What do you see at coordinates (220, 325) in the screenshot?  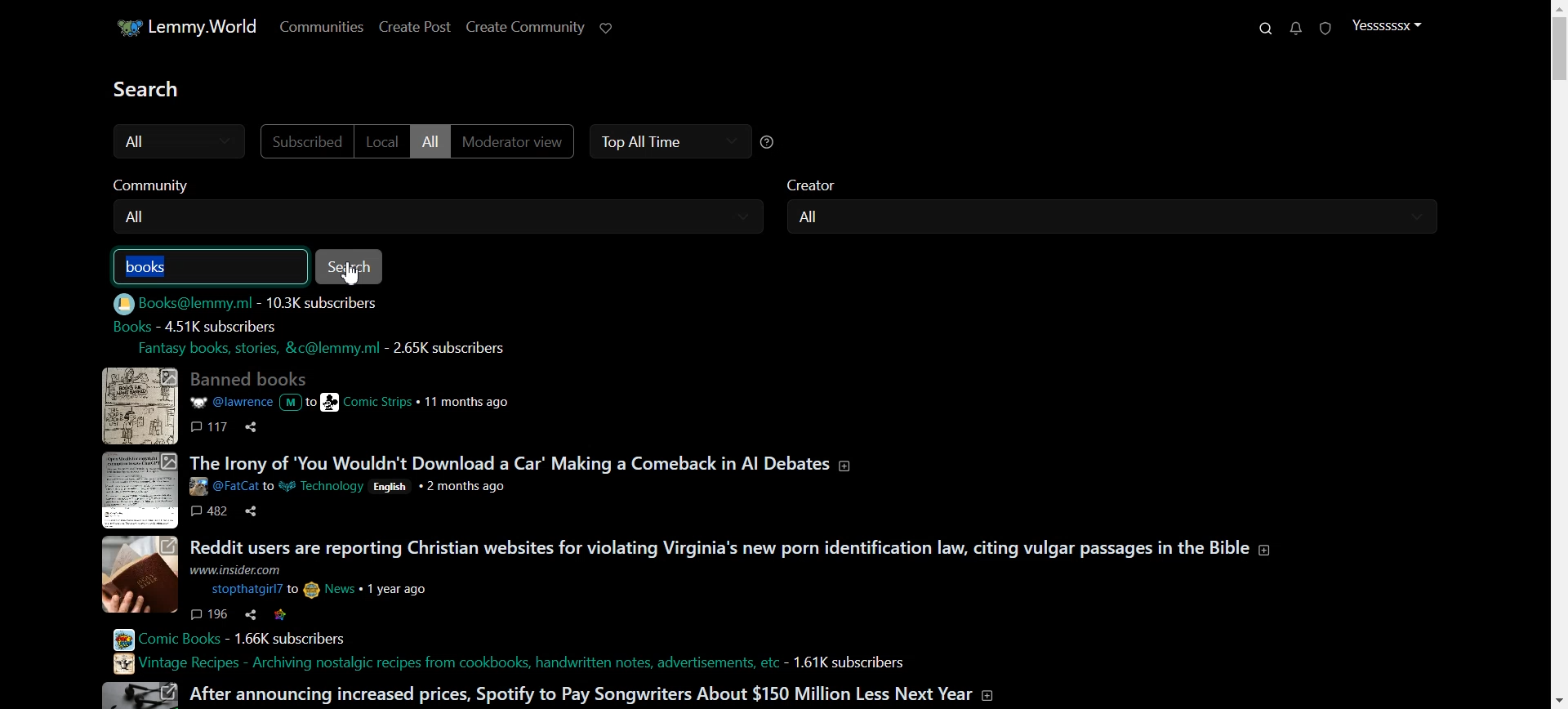 I see `subscriber` at bounding box center [220, 325].